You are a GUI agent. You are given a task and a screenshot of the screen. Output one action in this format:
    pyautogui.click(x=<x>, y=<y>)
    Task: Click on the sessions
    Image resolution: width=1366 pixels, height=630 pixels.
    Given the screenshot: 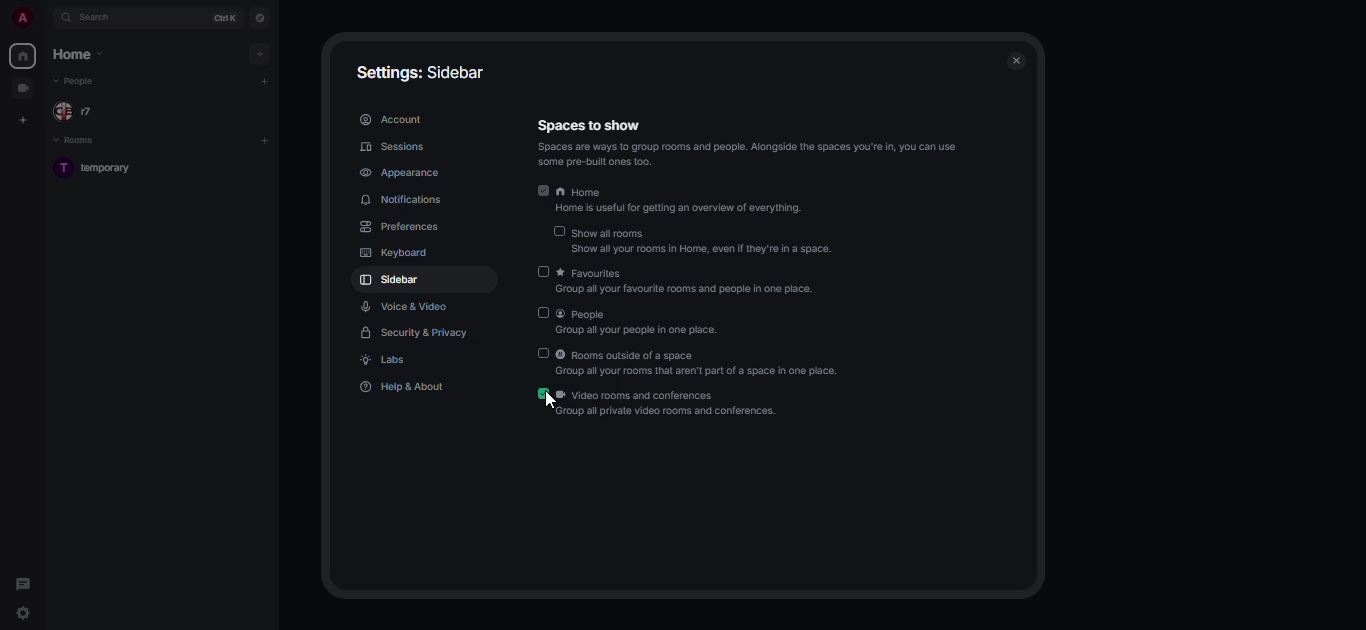 What is the action you would take?
    pyautogui.click(x=395, y=146)
    